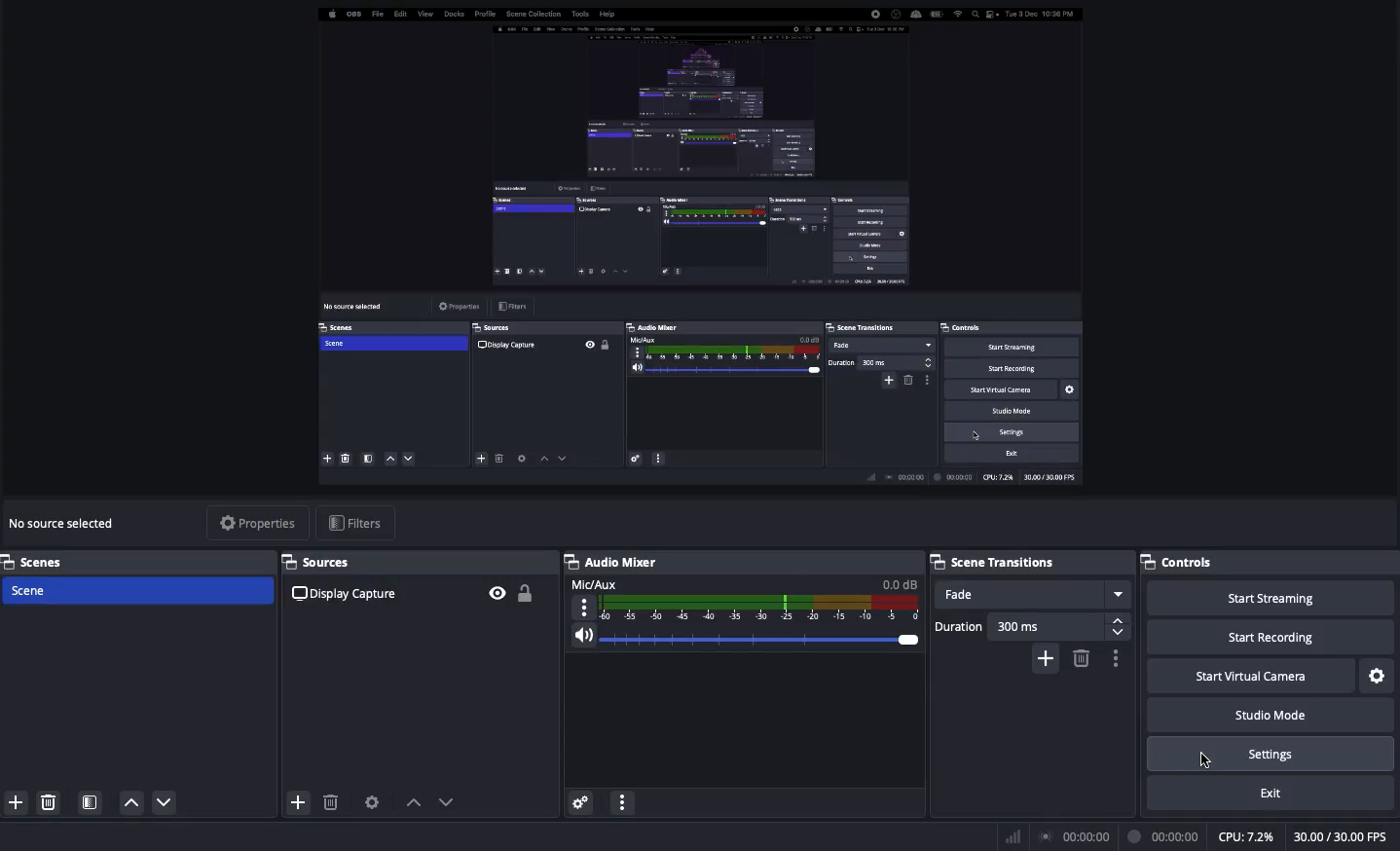  What do you see at coordinates (299, 801) in the screenshot?
I see `Add` at bounding box center [299, 801].